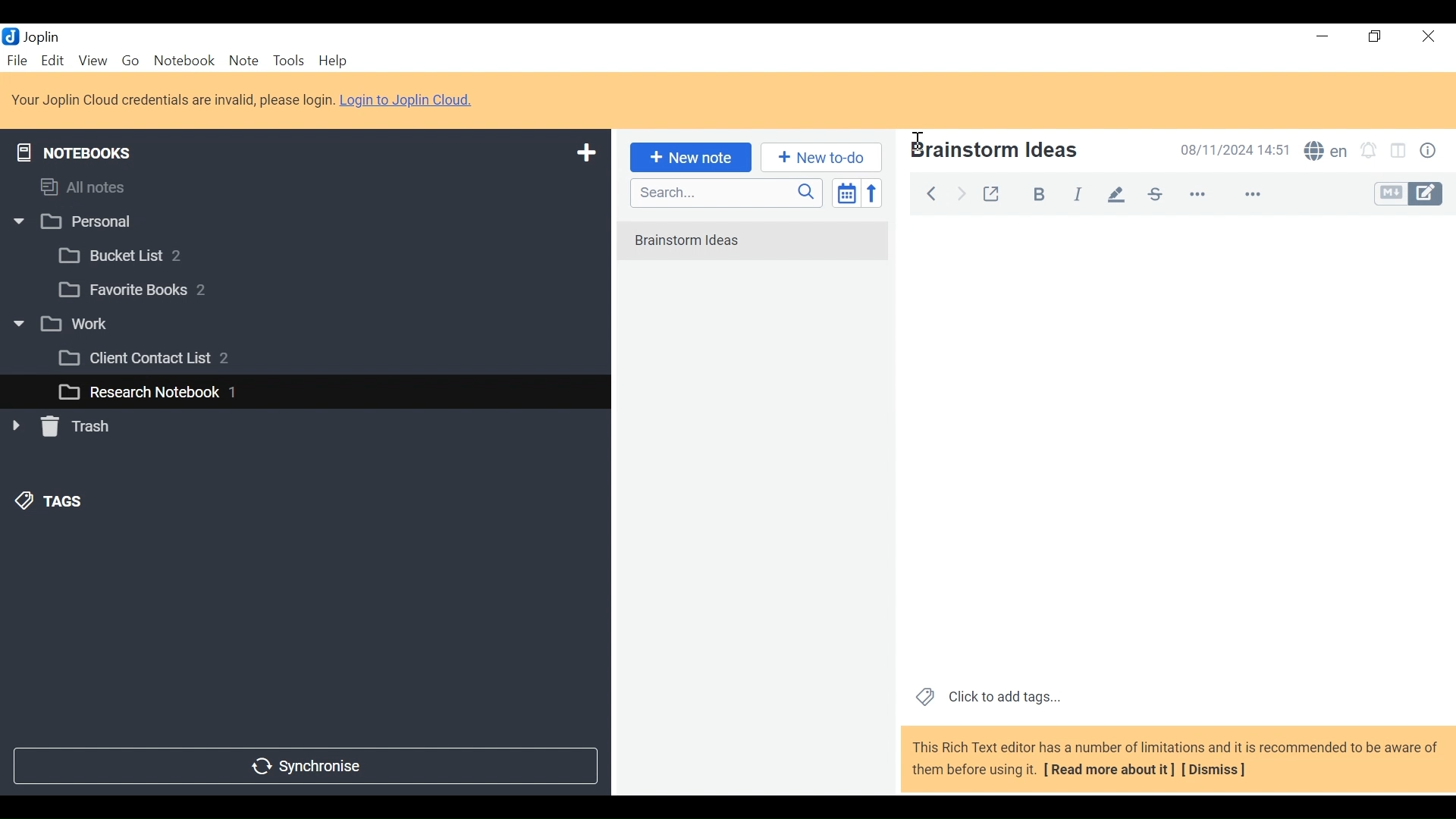  I want to click on Synchronize, so click(304, 764).